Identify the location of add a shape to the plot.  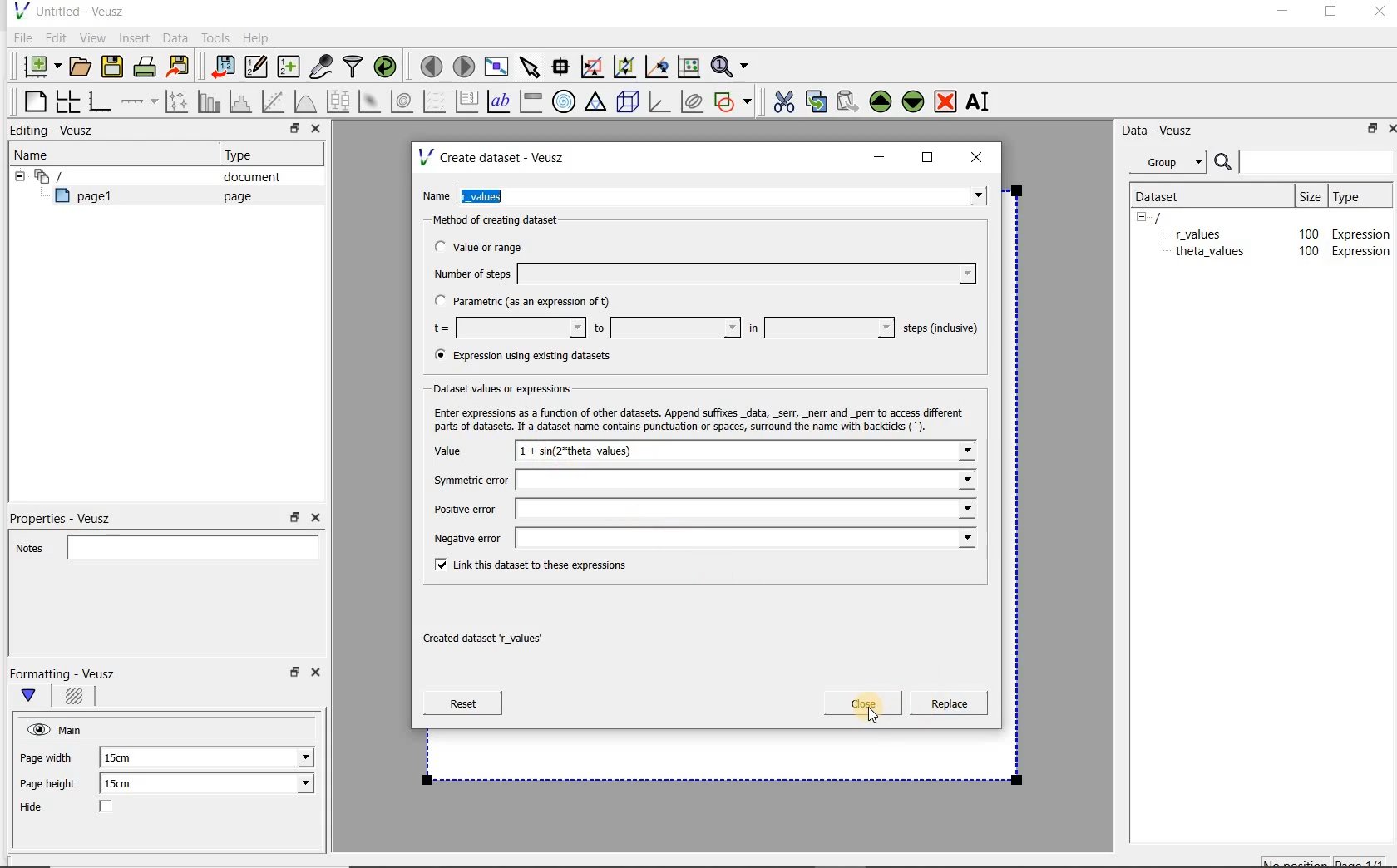
(734, 100).